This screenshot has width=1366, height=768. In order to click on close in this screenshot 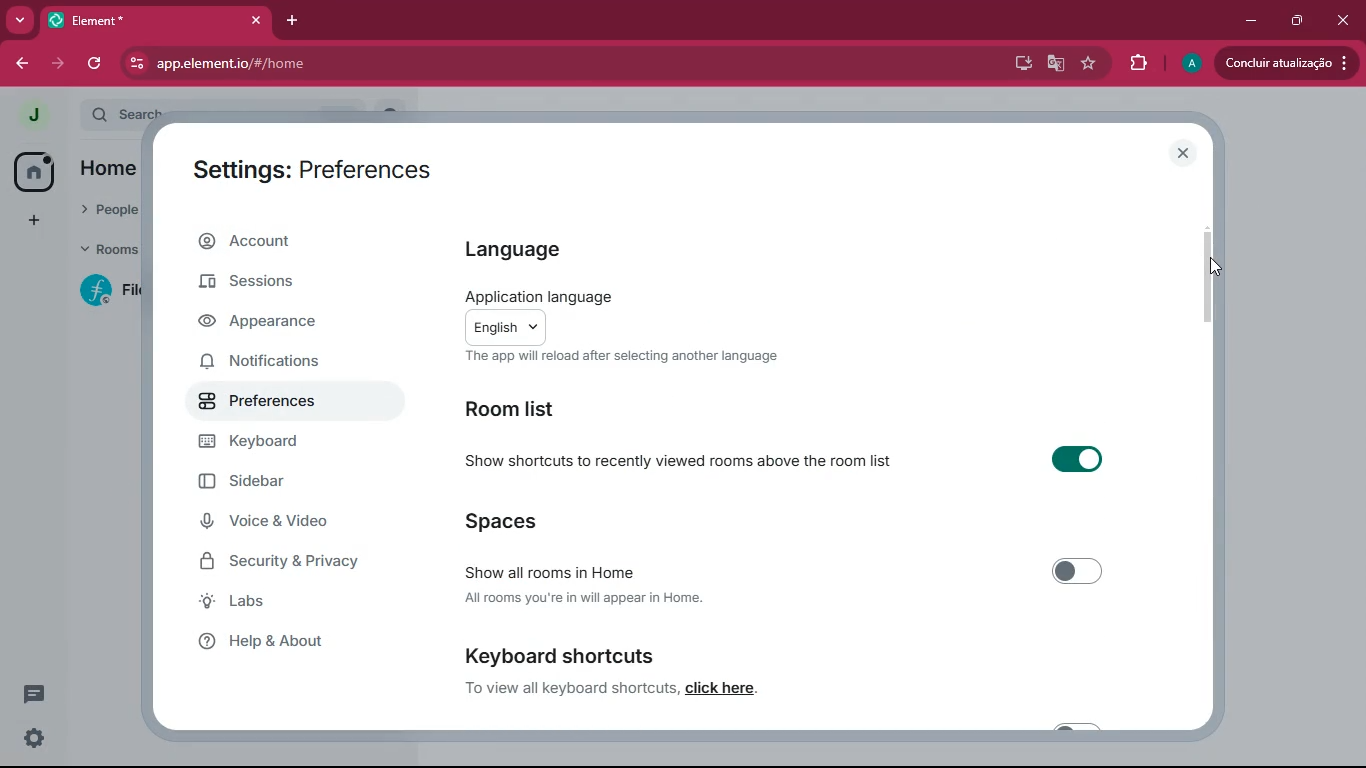, I will do `click(1346, 20)`.